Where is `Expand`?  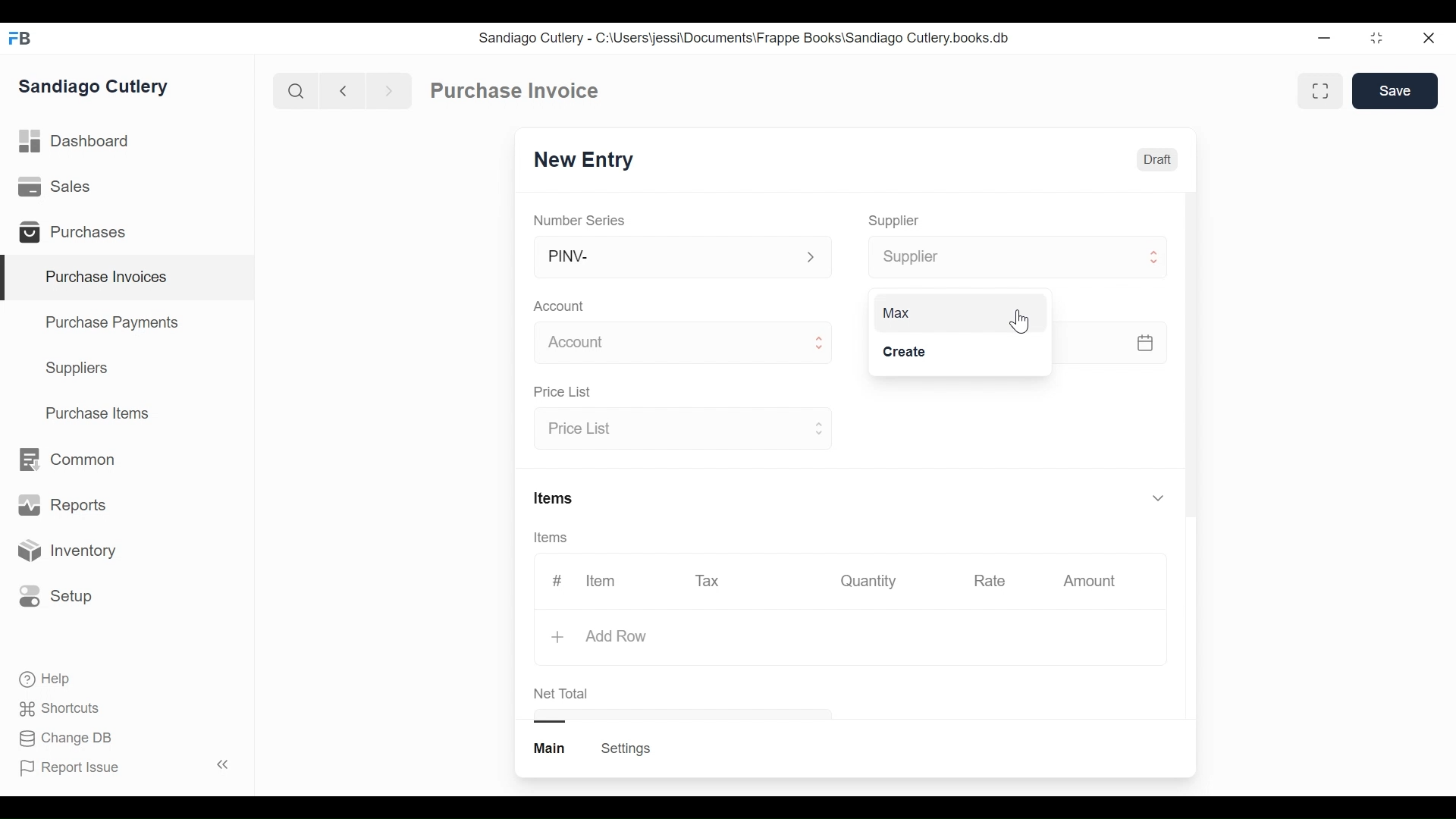 Expand is located at coordinates (1157, 497).